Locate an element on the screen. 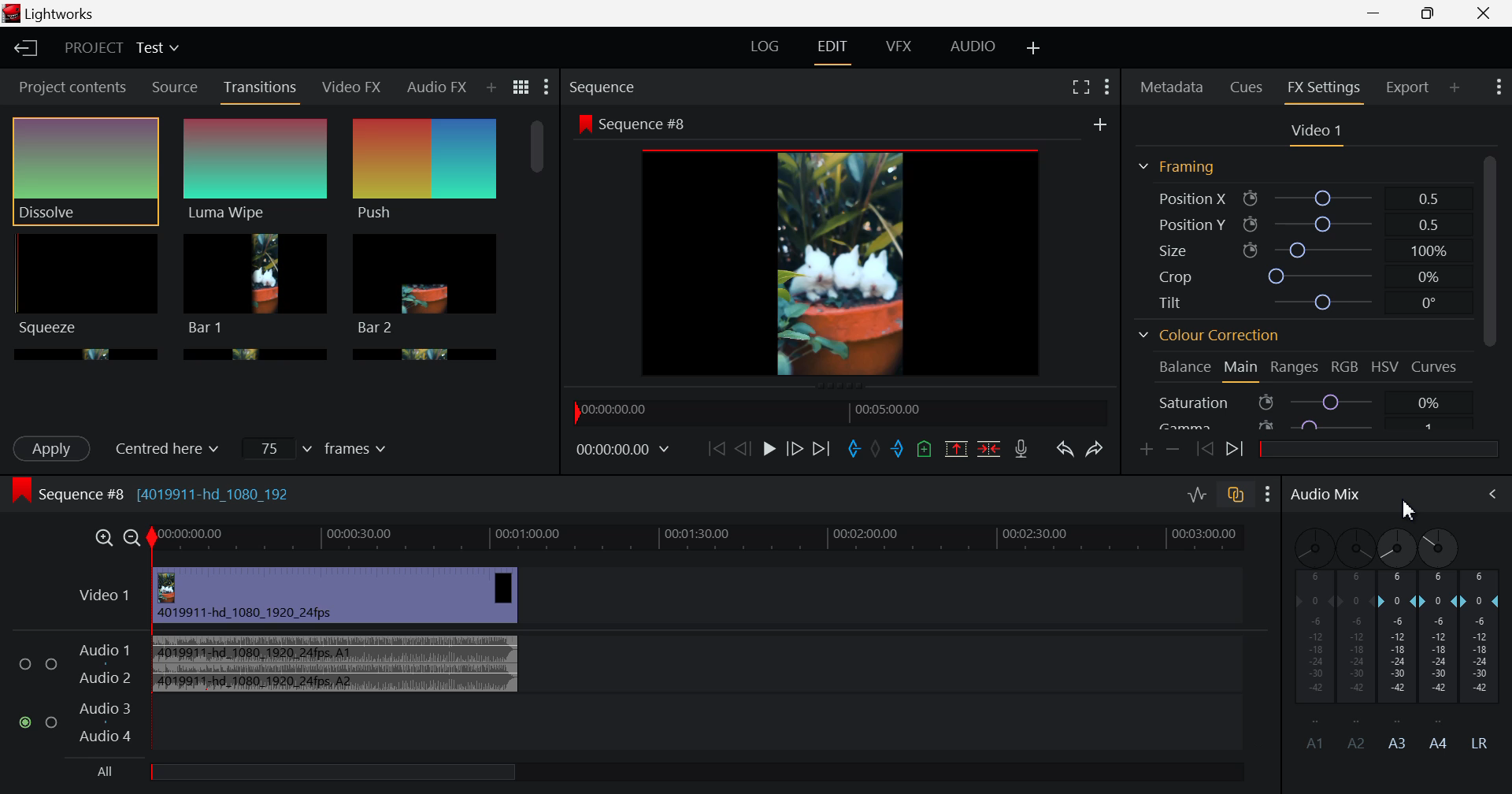 The image size is (1512, 794). Go Back is located at coordinates (741, 450).